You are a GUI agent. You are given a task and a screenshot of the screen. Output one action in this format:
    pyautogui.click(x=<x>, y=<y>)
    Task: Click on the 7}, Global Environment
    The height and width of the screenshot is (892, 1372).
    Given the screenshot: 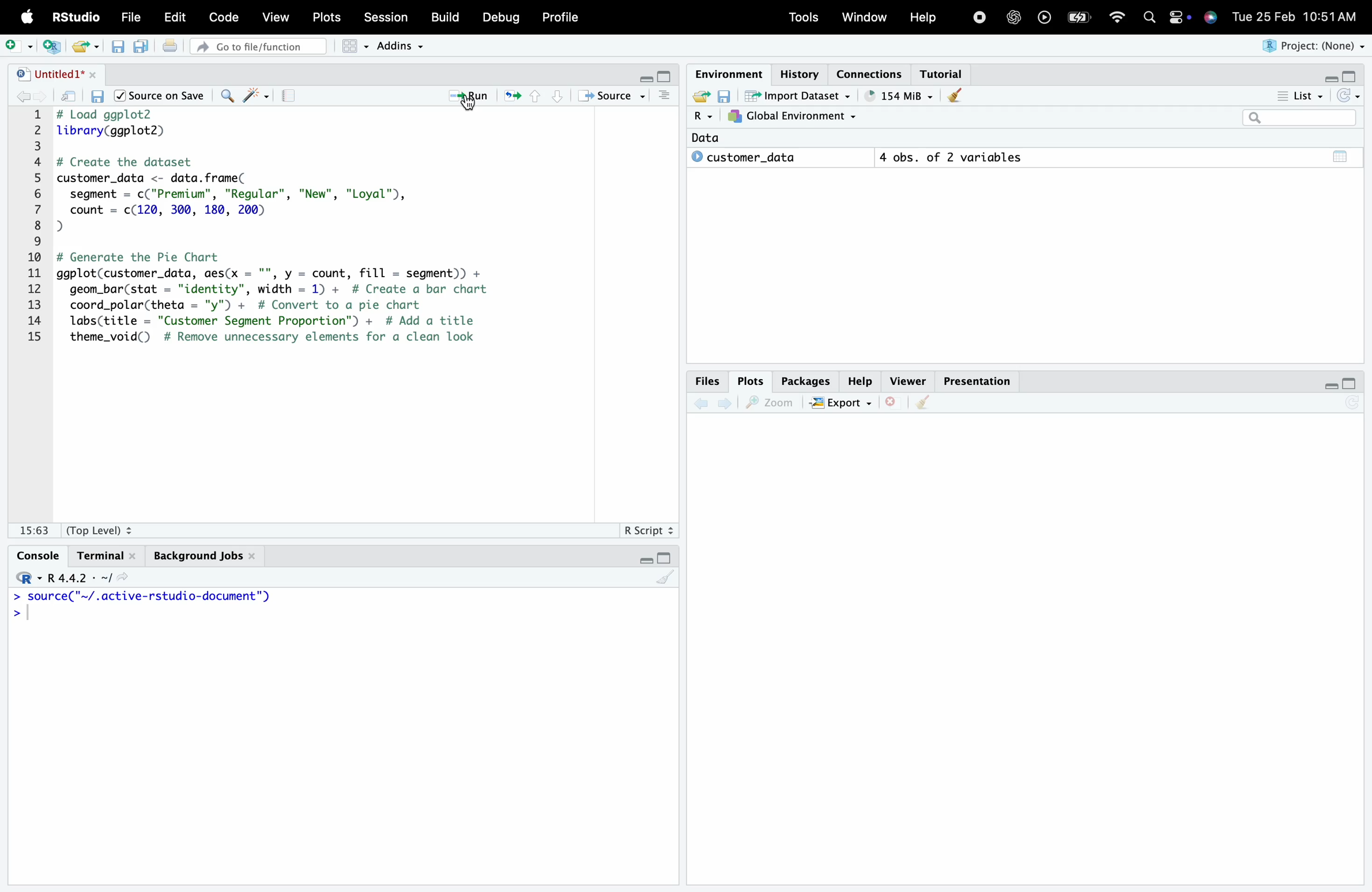 What is the action you would take?
    pyautogui.click(x=796, y=116)
    